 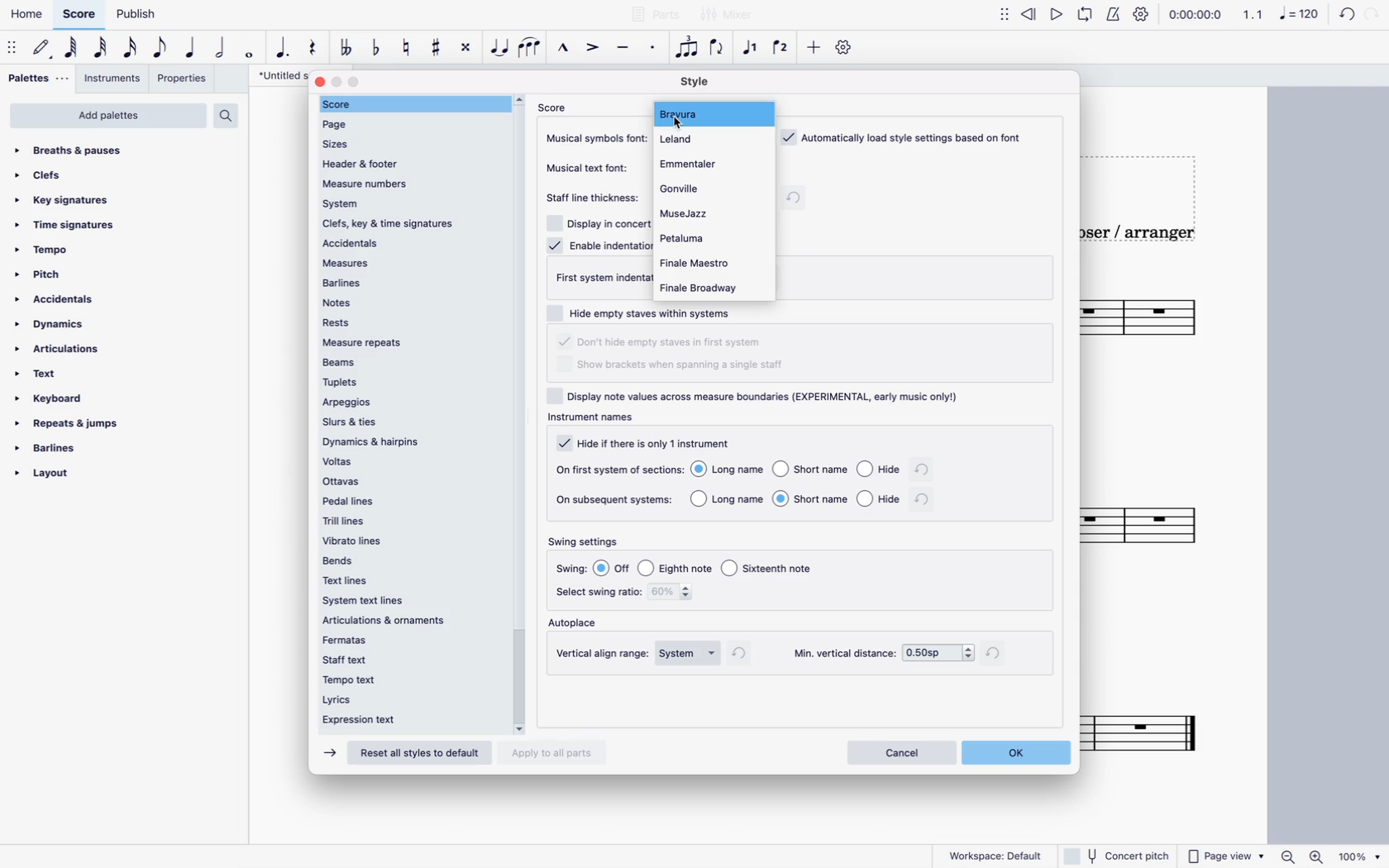 What do you see at coordinates (1195, 12) in the screenshot?
I see `0:00:00:0` at bounding box center [1195, 12].